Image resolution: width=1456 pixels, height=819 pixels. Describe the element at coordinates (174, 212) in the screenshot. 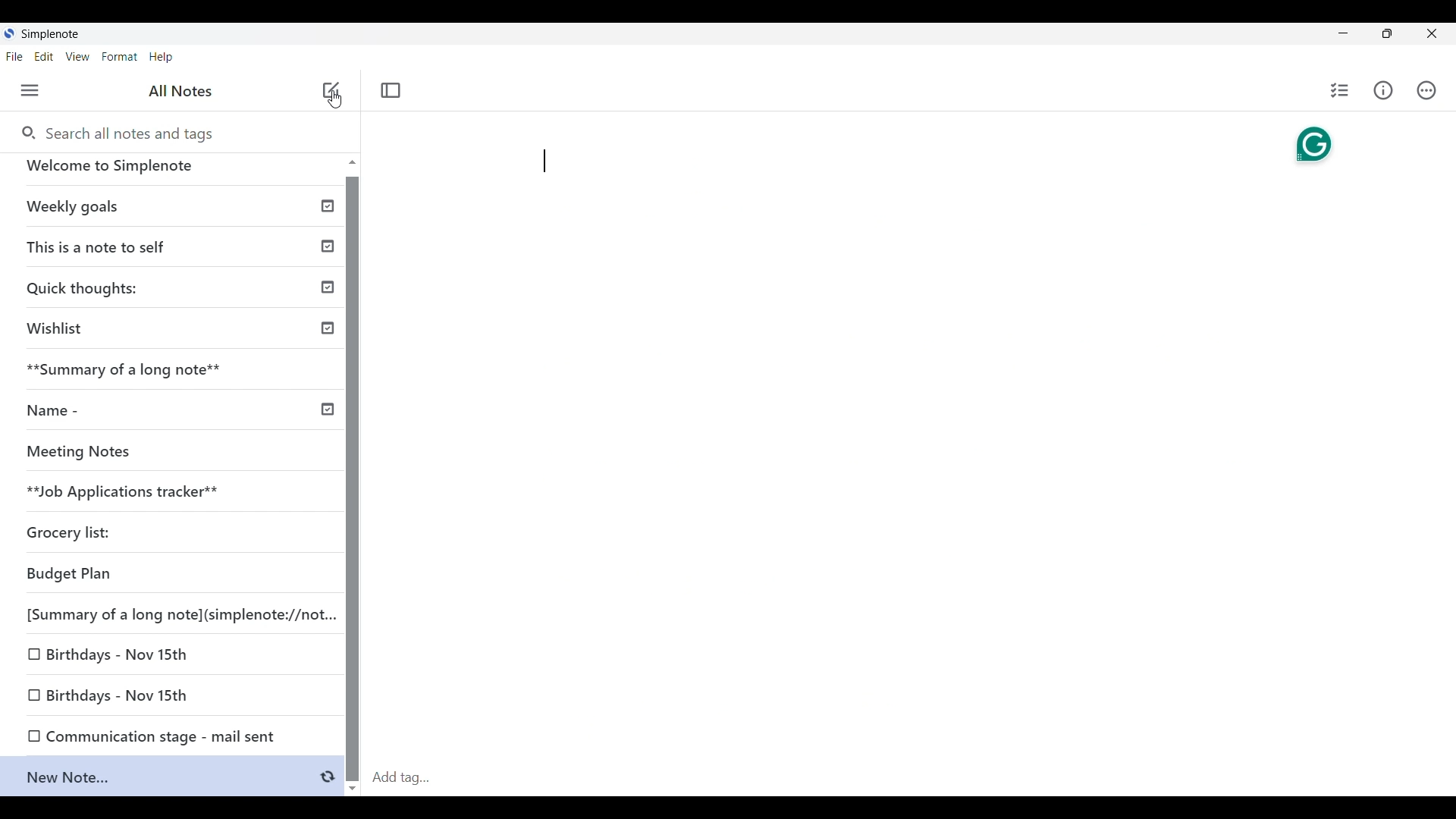

I see `Published note indicated by check icon` at that location.